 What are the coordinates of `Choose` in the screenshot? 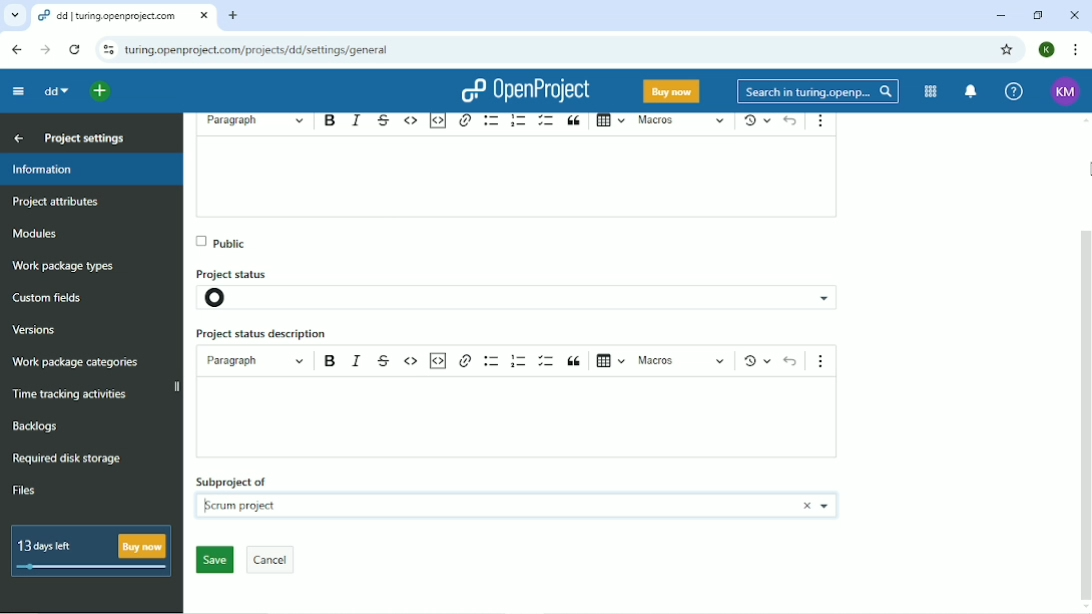 It's located at (825, 508).